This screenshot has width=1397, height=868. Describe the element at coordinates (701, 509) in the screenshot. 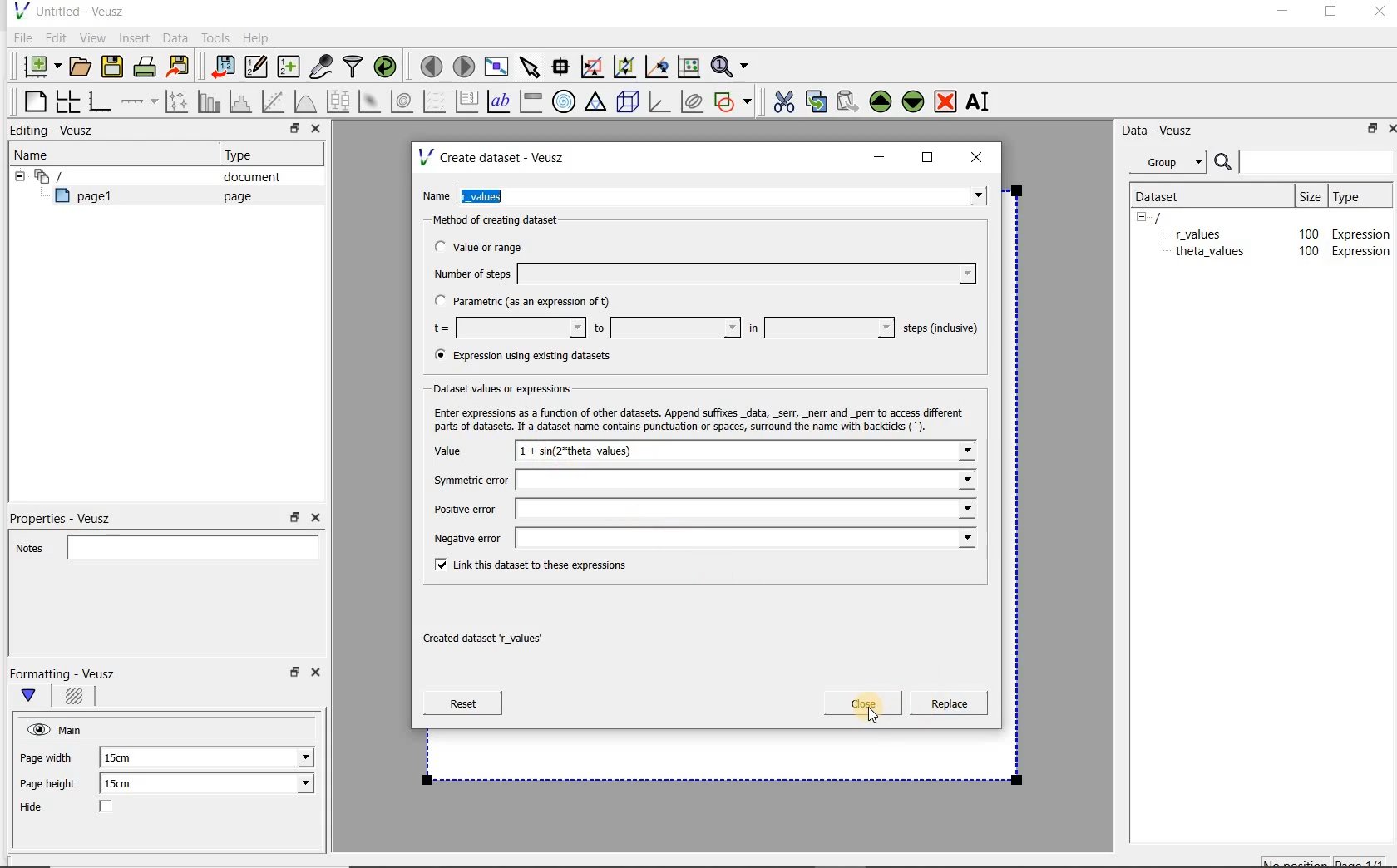

I see `Positive error` at that location.